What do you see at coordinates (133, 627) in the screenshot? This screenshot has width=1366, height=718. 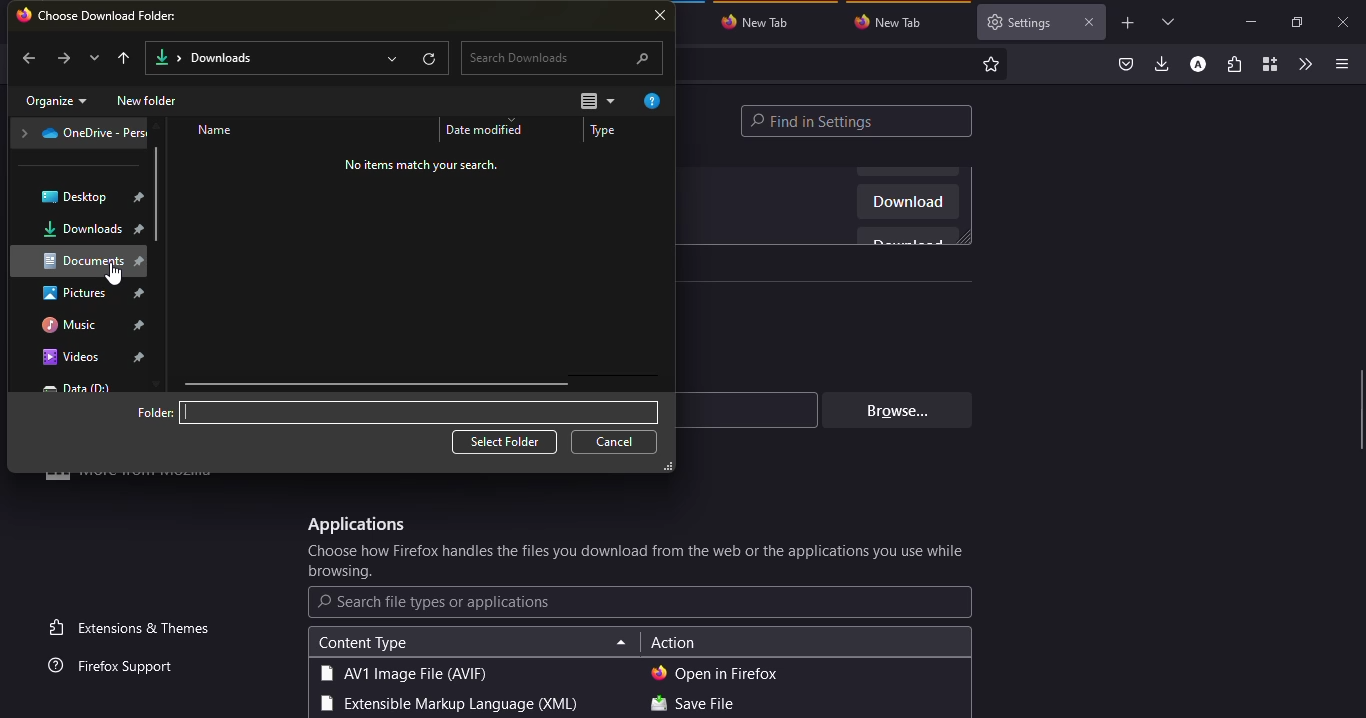 I see `themes` at bounding box center [133, 627].